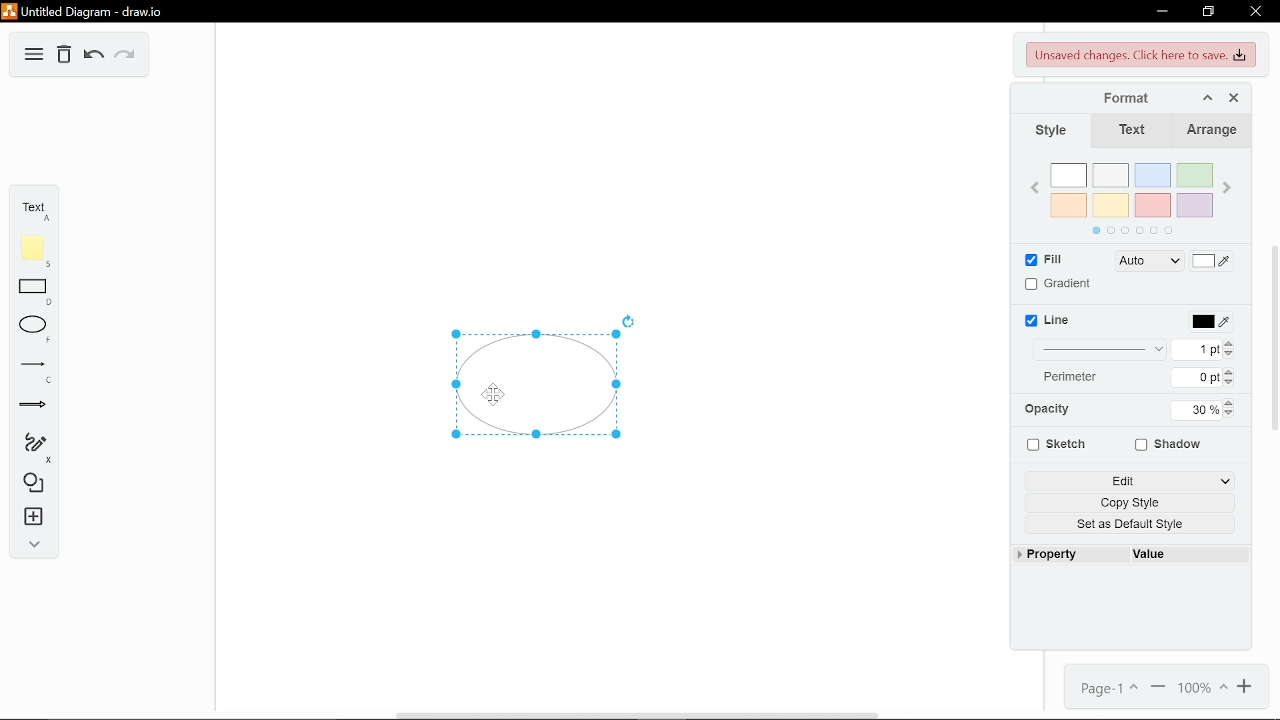 The image size is (1280, 720). What do you see at coordinates (1060, 284) in the screenshot?
I see `Gradient` at bounding box center [1060, 284].